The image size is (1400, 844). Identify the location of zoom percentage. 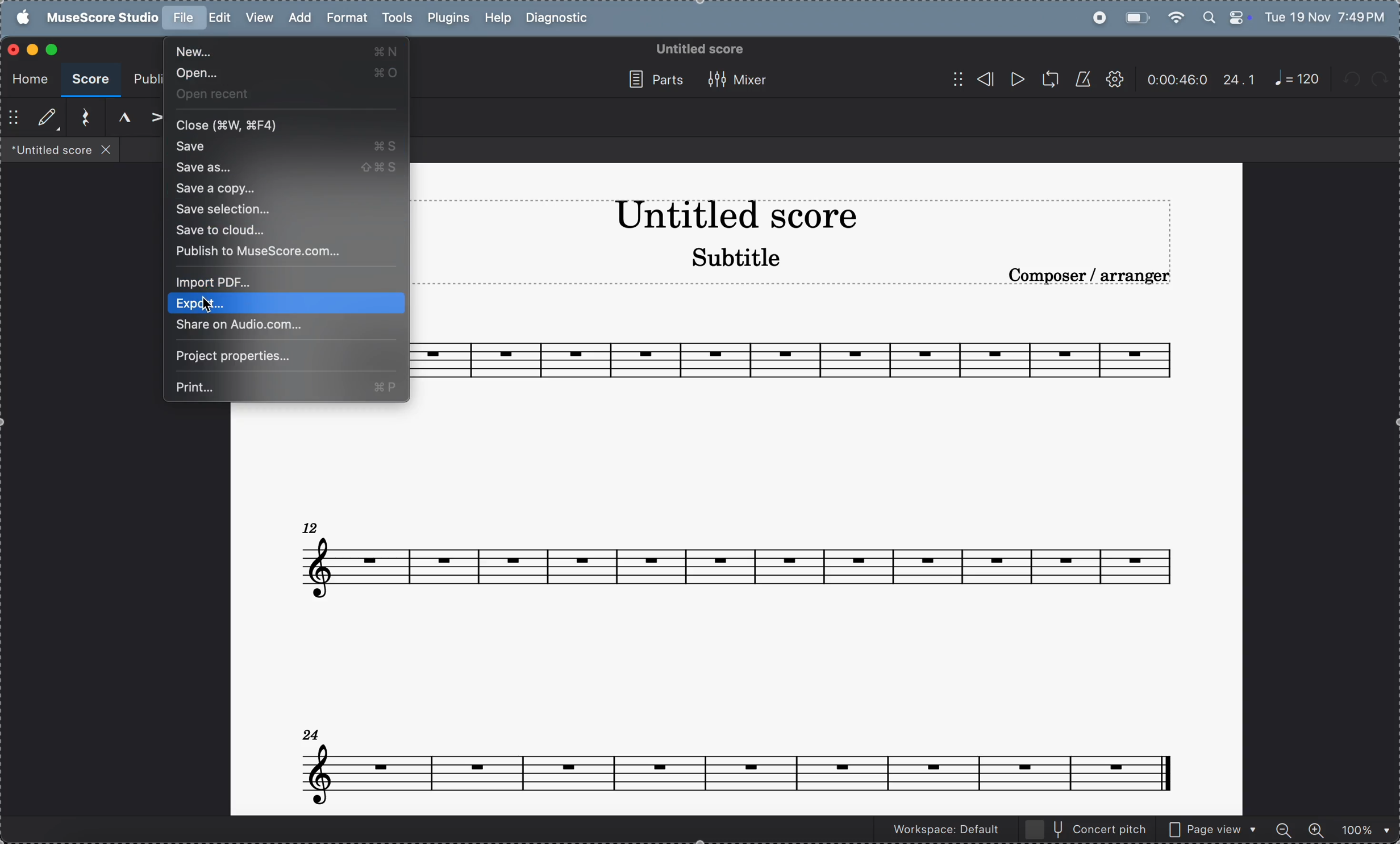
(1362, 829).